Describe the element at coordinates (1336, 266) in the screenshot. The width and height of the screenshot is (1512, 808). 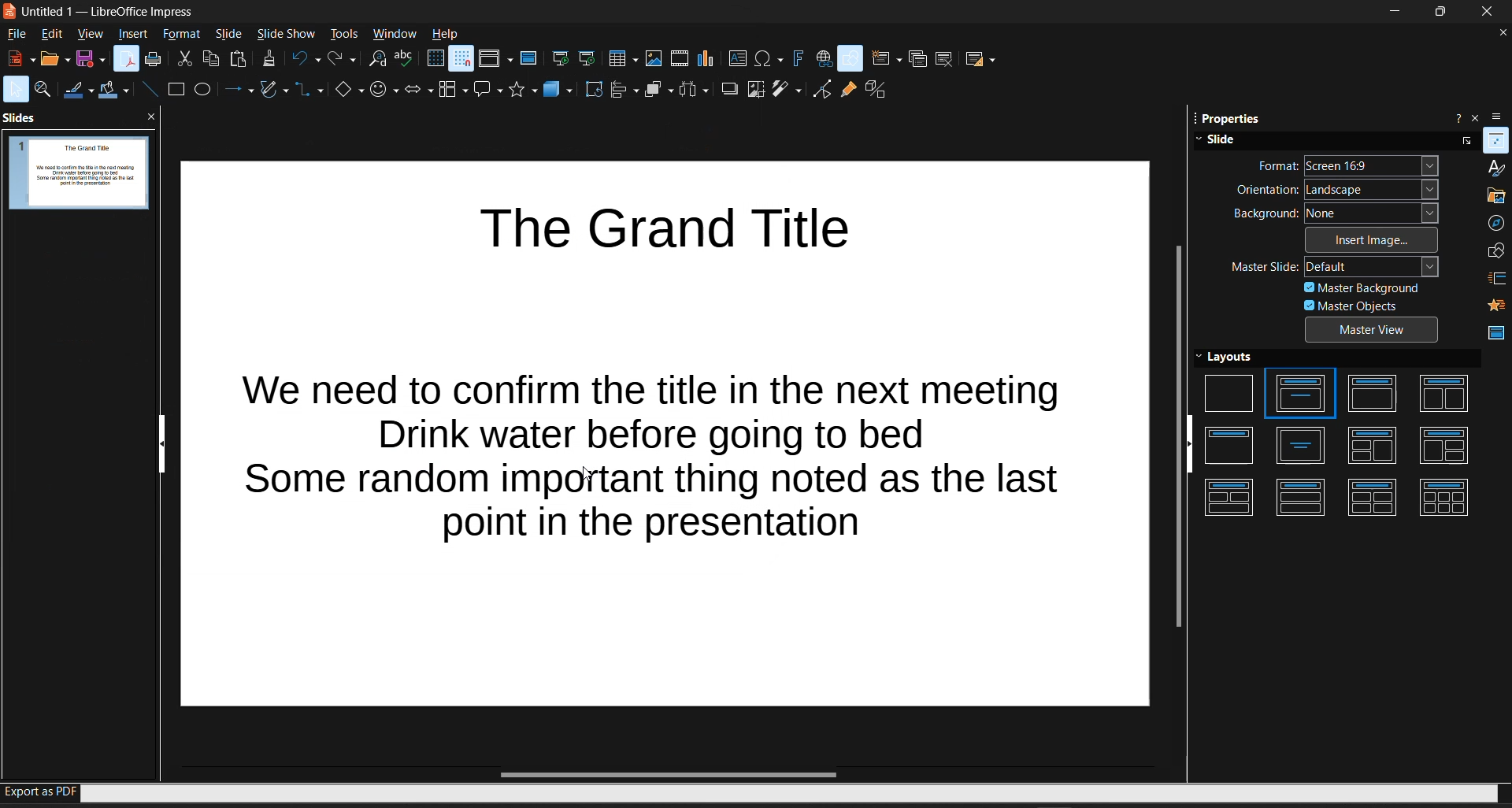
I see `master slide` at that location.